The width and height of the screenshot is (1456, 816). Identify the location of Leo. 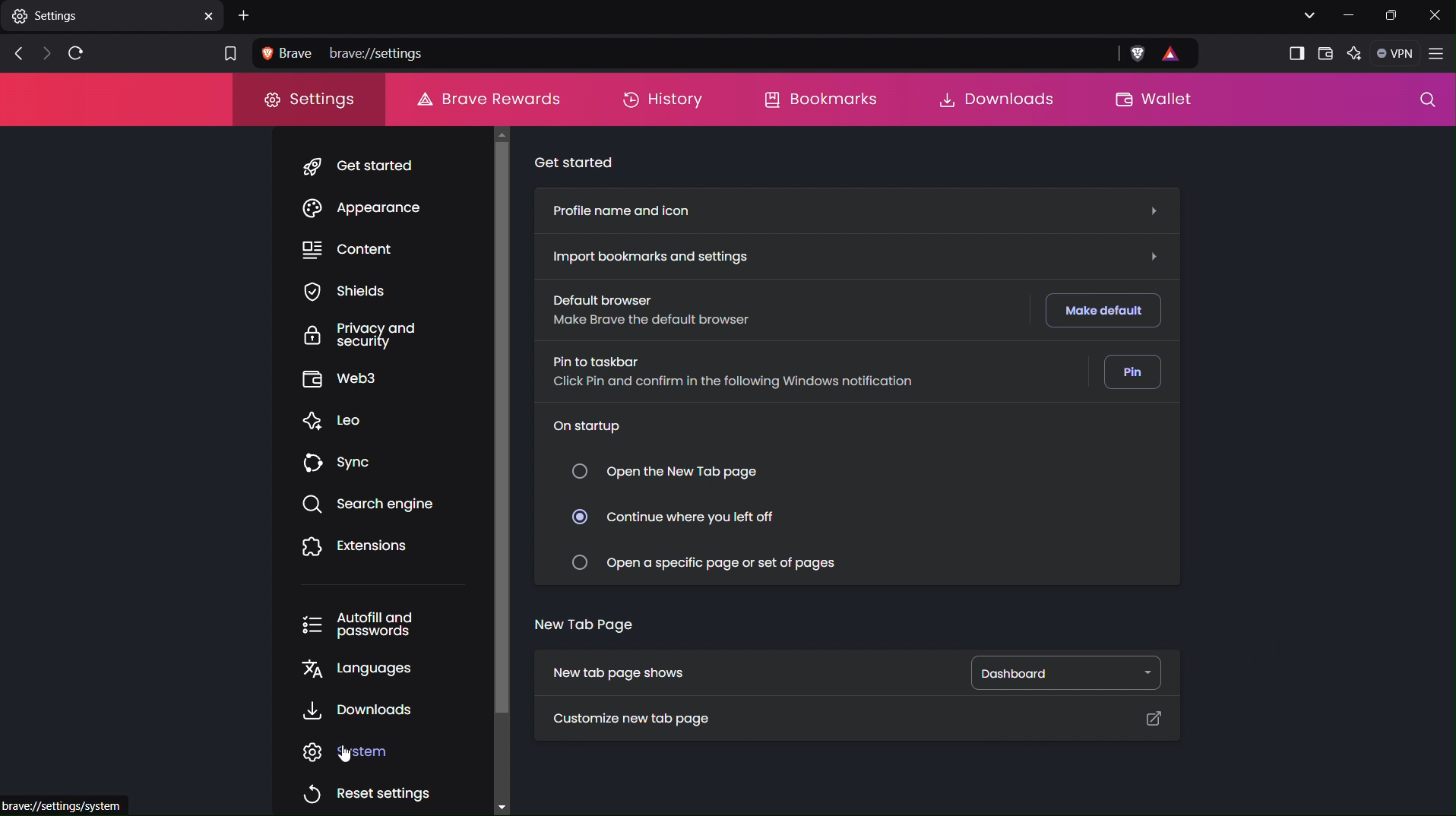
(335, 422).